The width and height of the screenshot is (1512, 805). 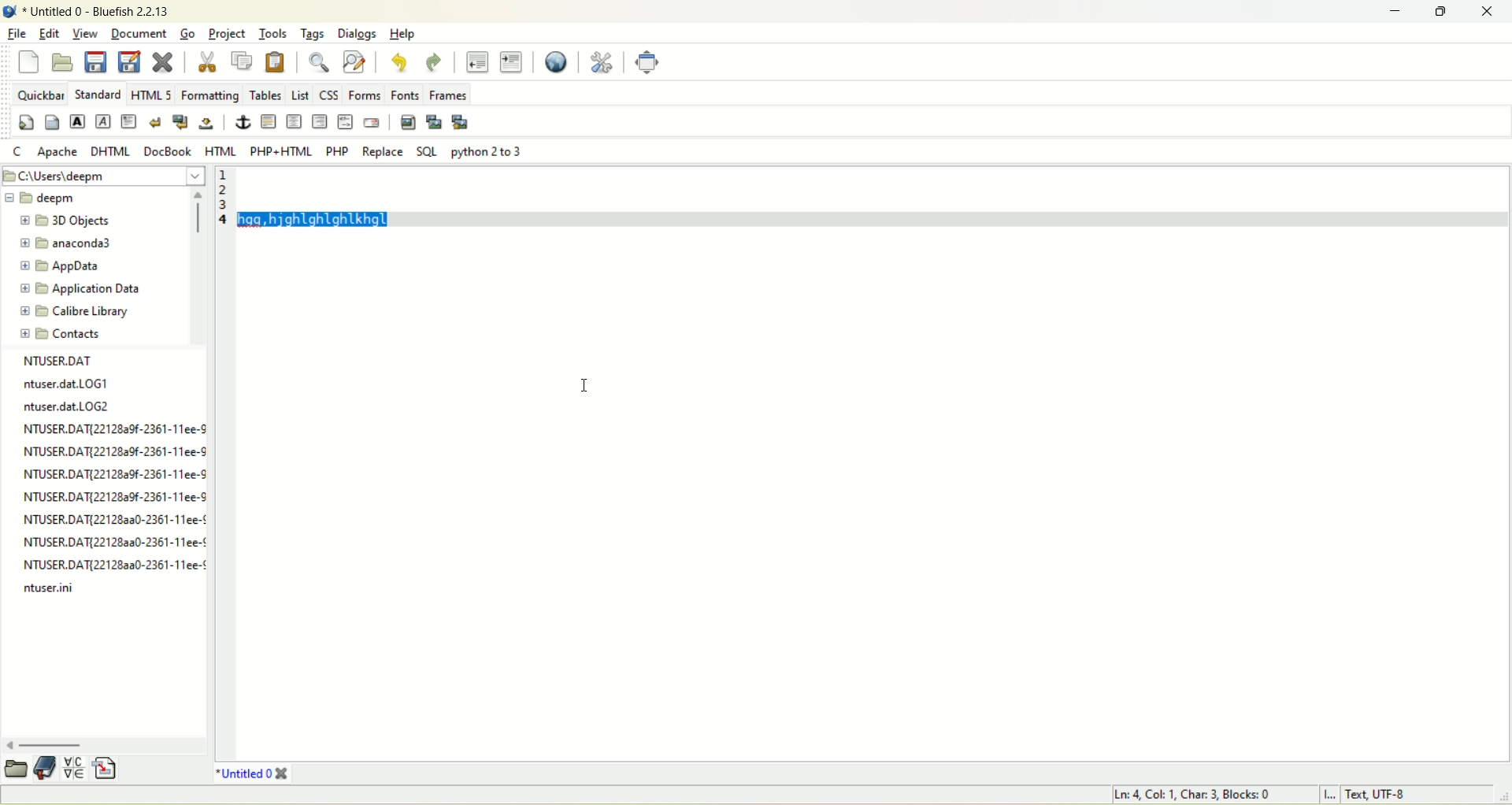 What do you see at coordinates (873, 496) in the screenshot?
I see `editor` at bounding box center [873, 496].